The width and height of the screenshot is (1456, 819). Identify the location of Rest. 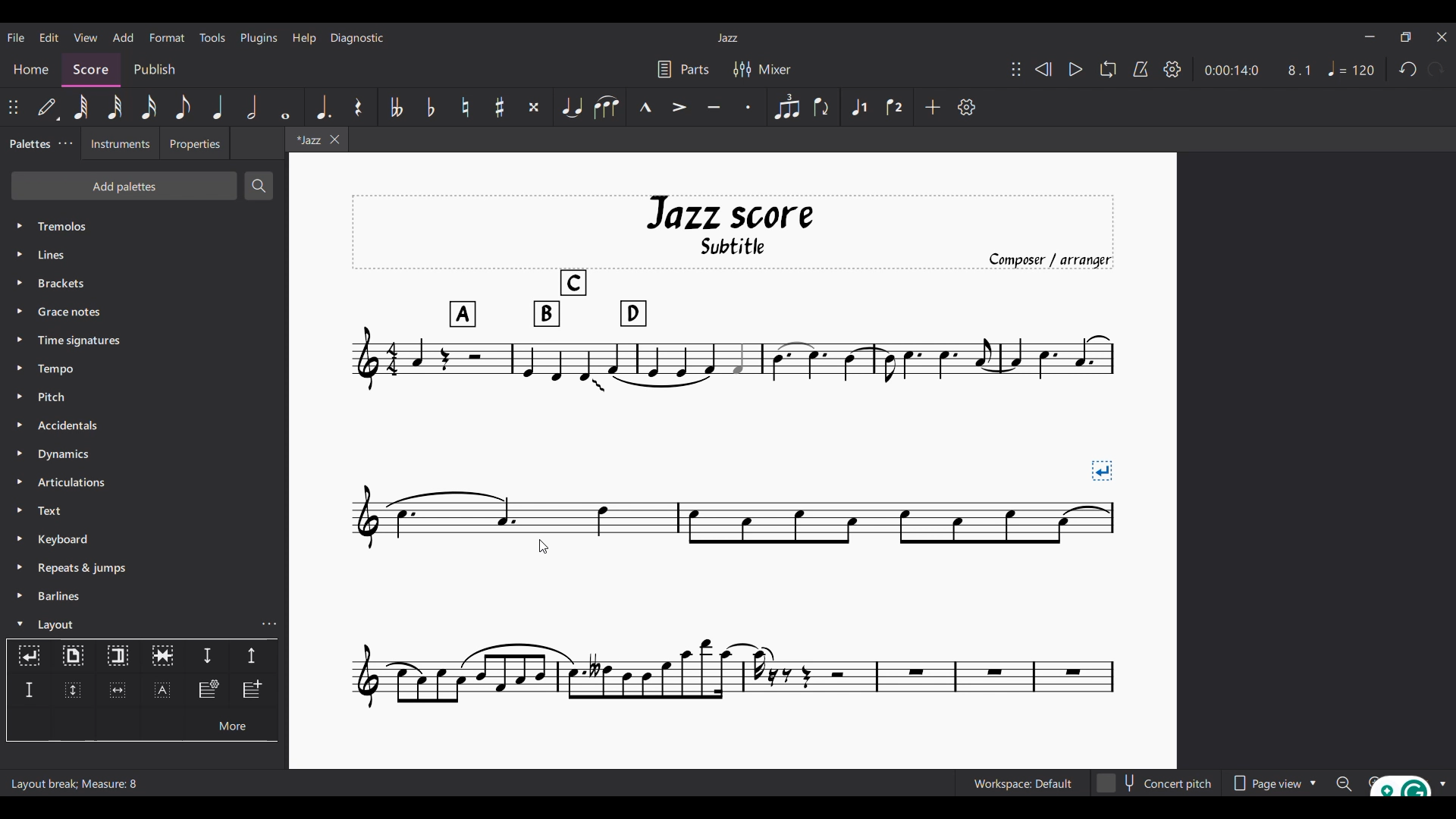
(359, 107).